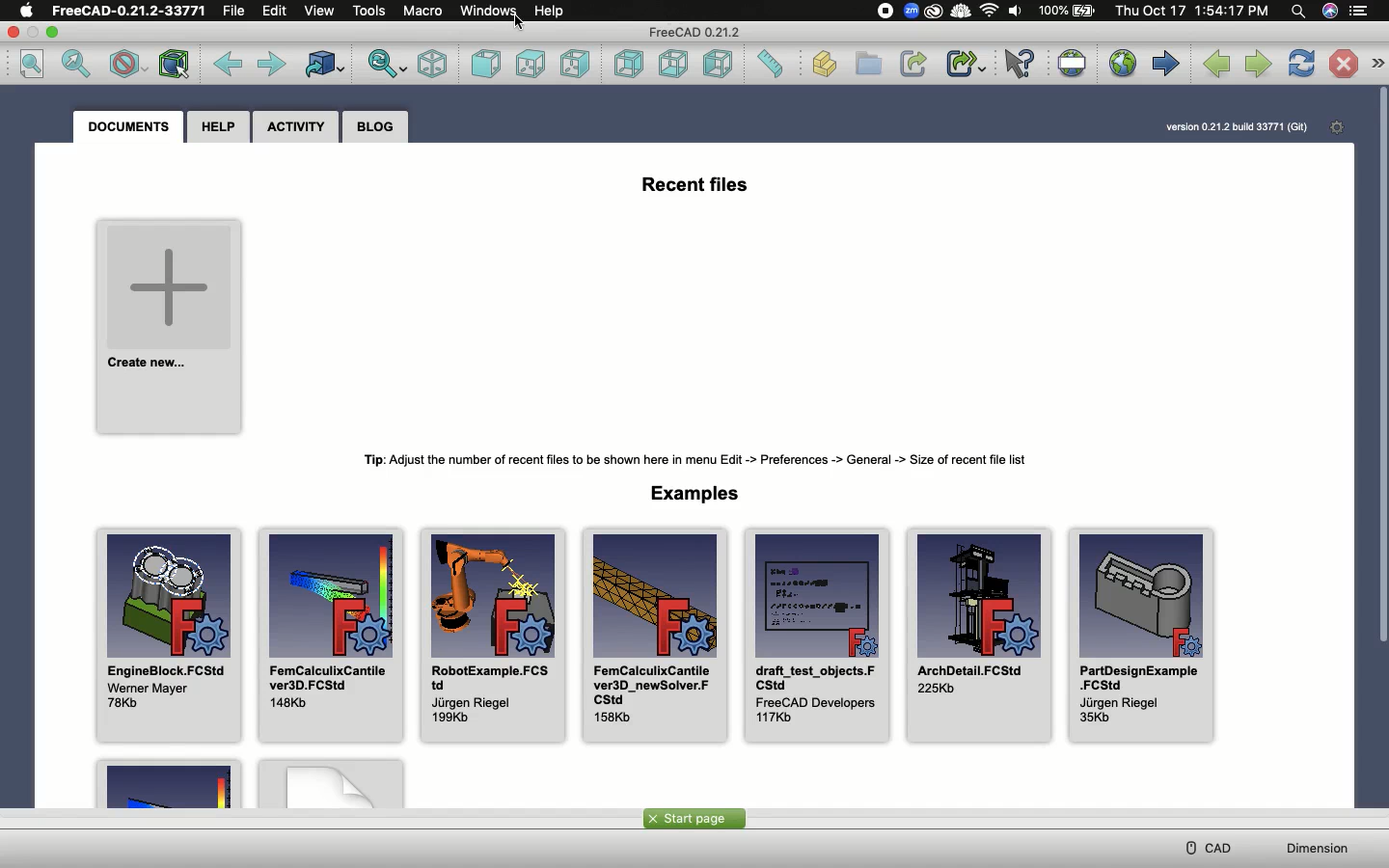 The width and height of the screenshot is (1389, 868). What do you see at coordinates (331, 782) in the screenshot?
I see `Example` at bounding box center [331, 782].